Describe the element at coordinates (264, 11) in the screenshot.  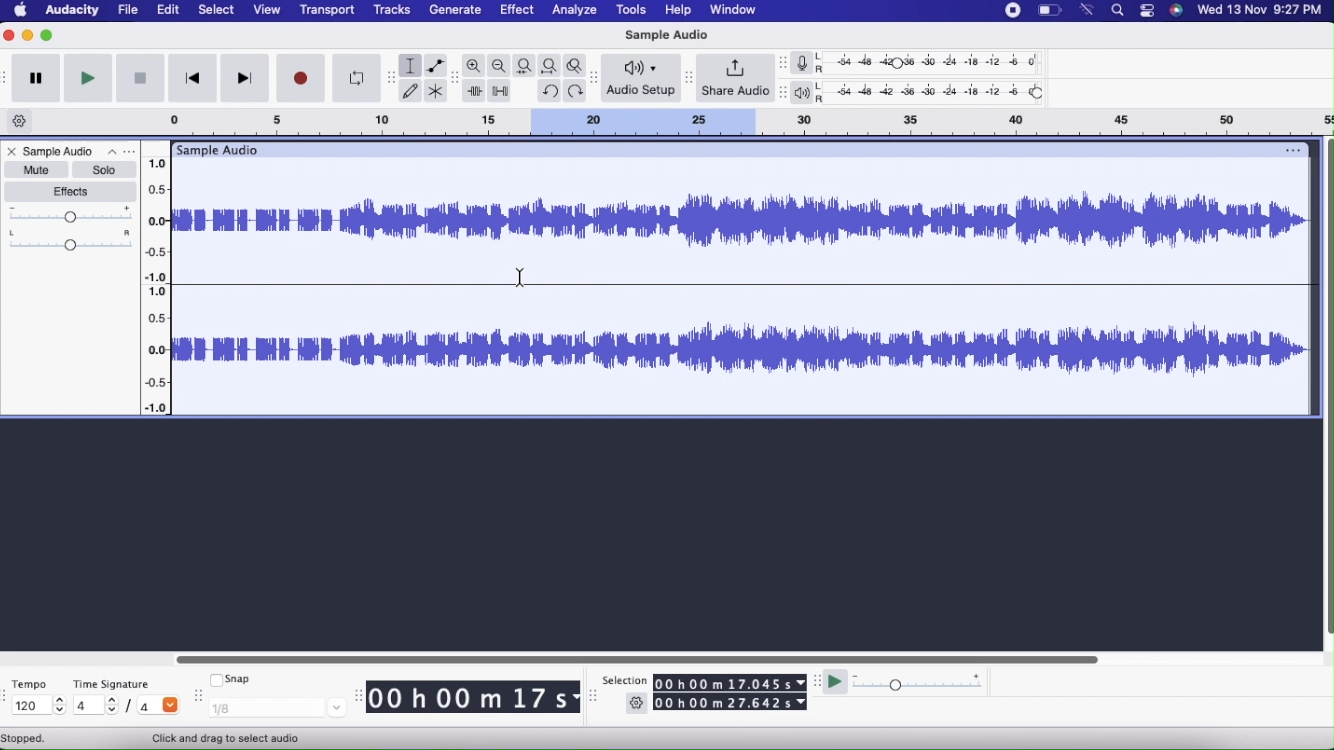
I see `View` at that location.